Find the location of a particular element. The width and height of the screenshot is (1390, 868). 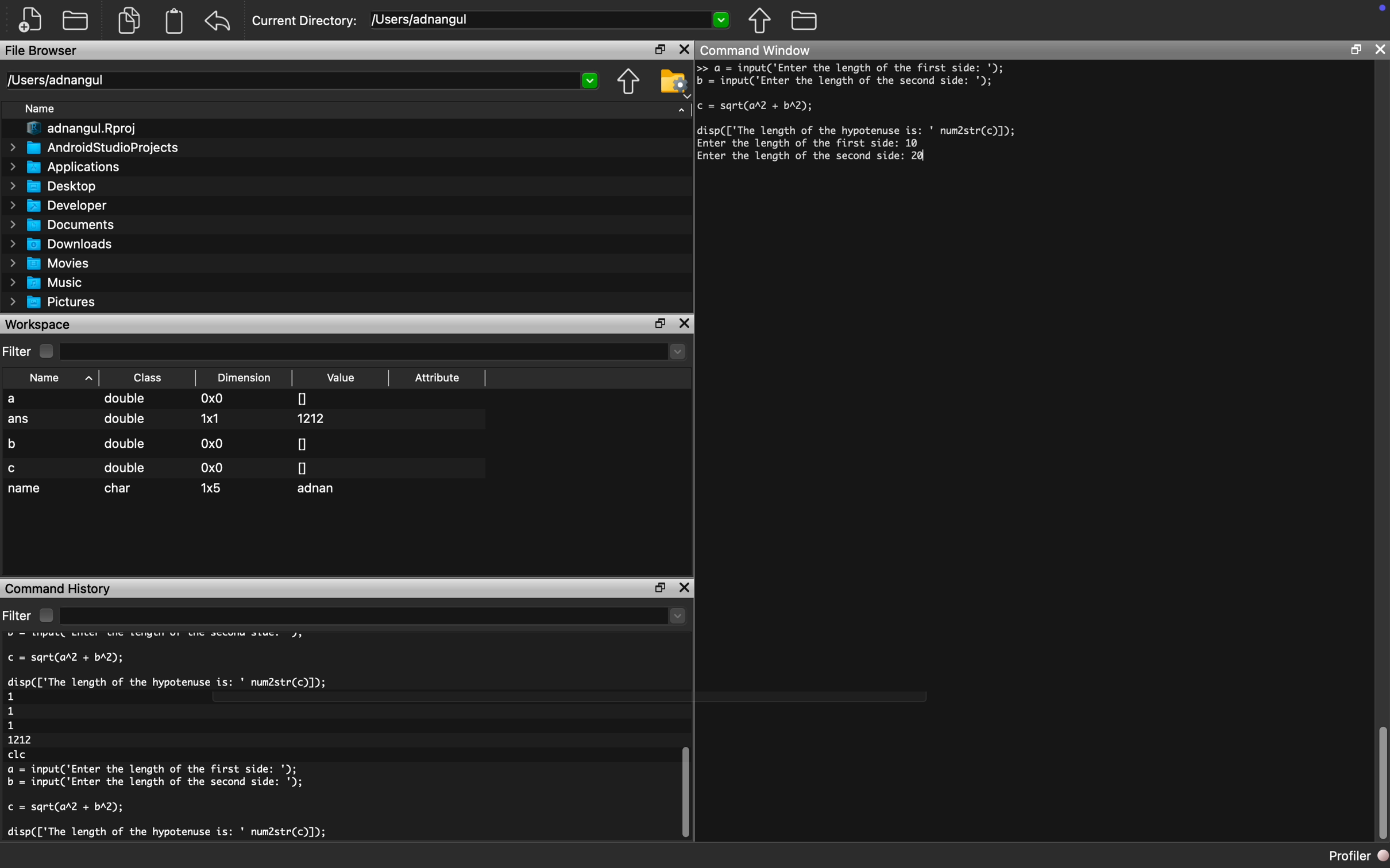

AndroidStudioProjects is located at coordinates (96, 148).